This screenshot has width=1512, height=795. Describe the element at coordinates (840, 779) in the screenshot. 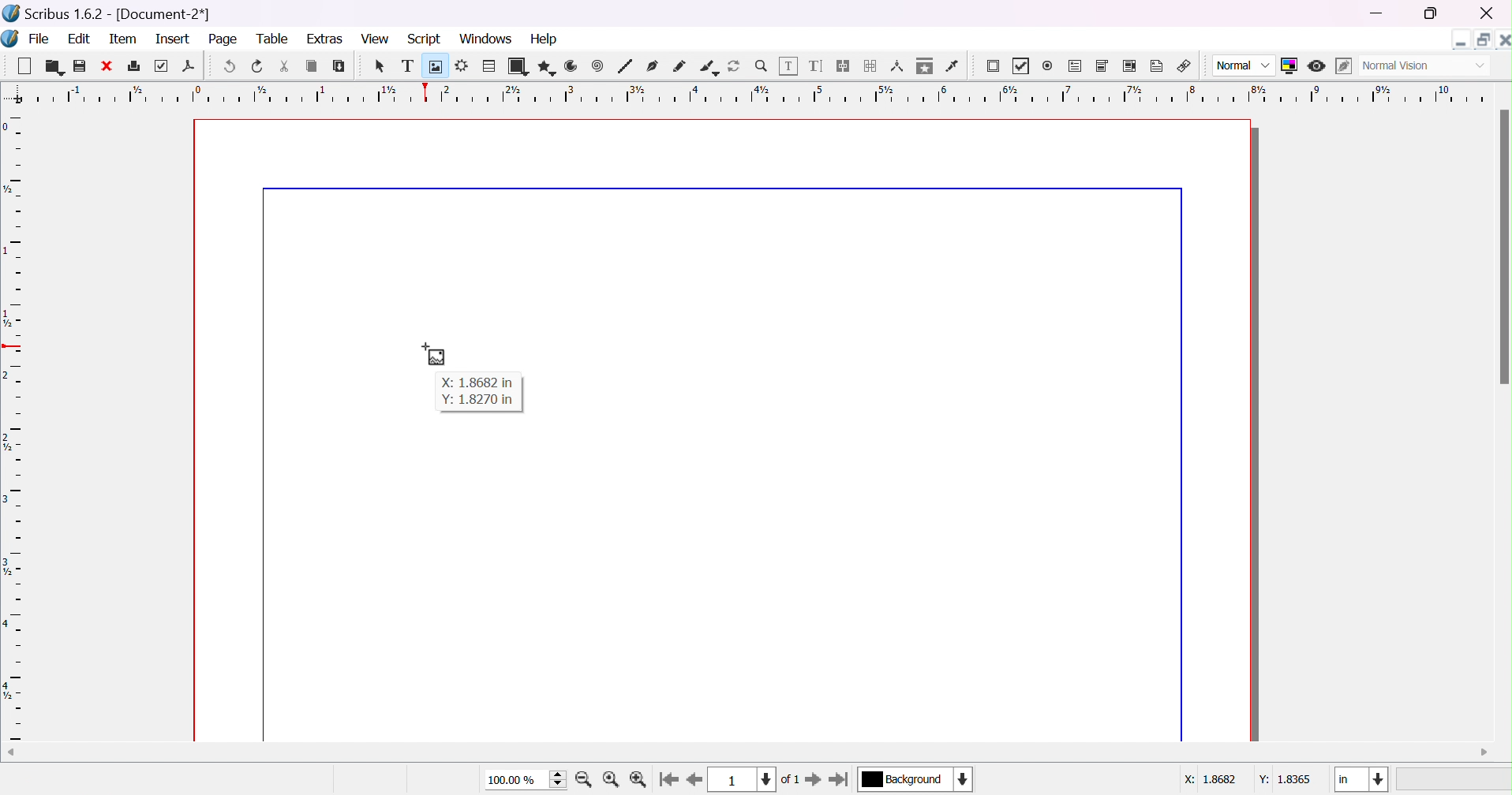

I see `go to last page` at that location.